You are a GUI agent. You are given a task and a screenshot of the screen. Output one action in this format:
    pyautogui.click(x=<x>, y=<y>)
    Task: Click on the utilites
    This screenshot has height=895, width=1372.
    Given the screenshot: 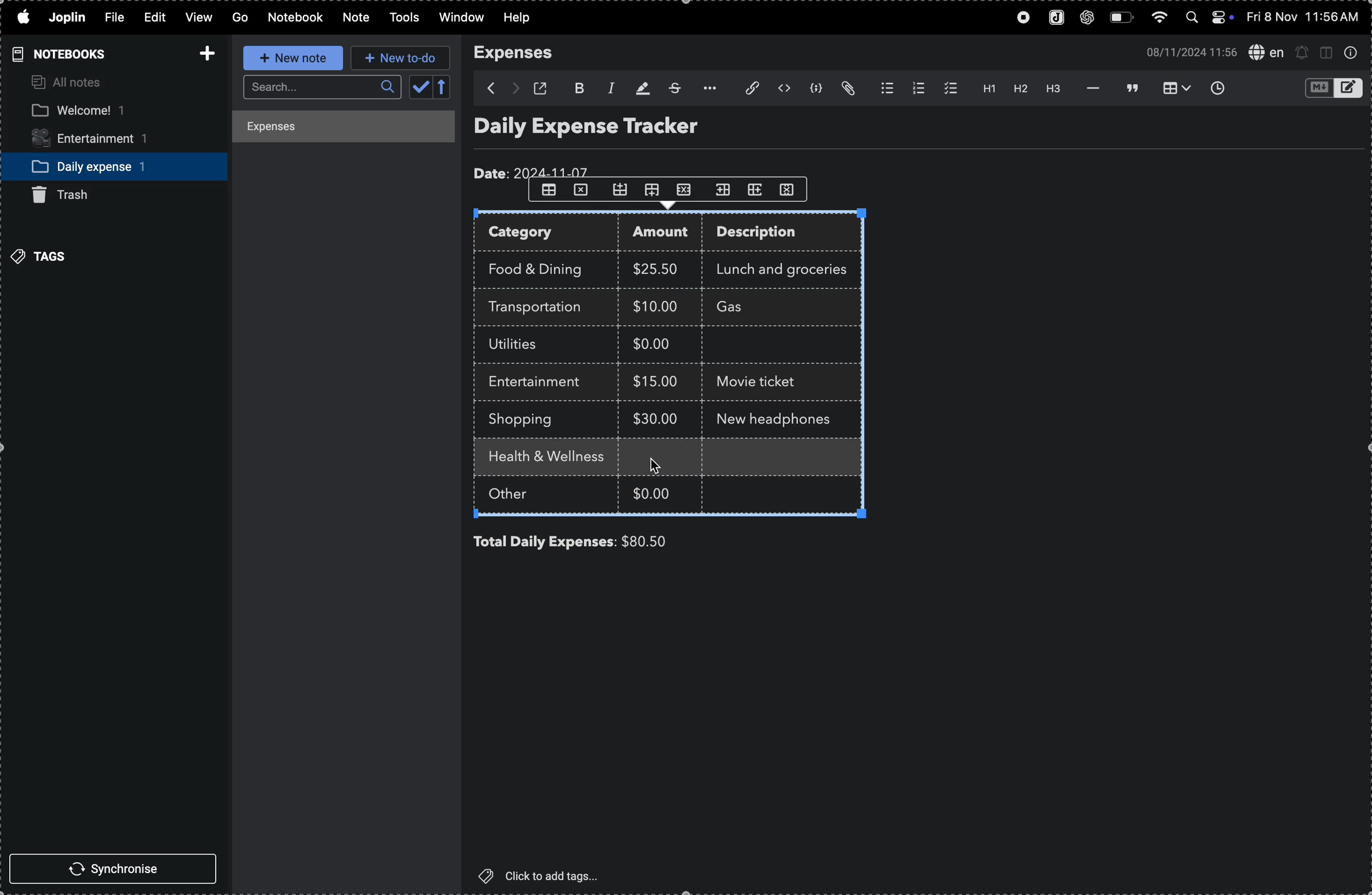 What is the action you would take?
    pyautogui.click(x=524, y=345)
    